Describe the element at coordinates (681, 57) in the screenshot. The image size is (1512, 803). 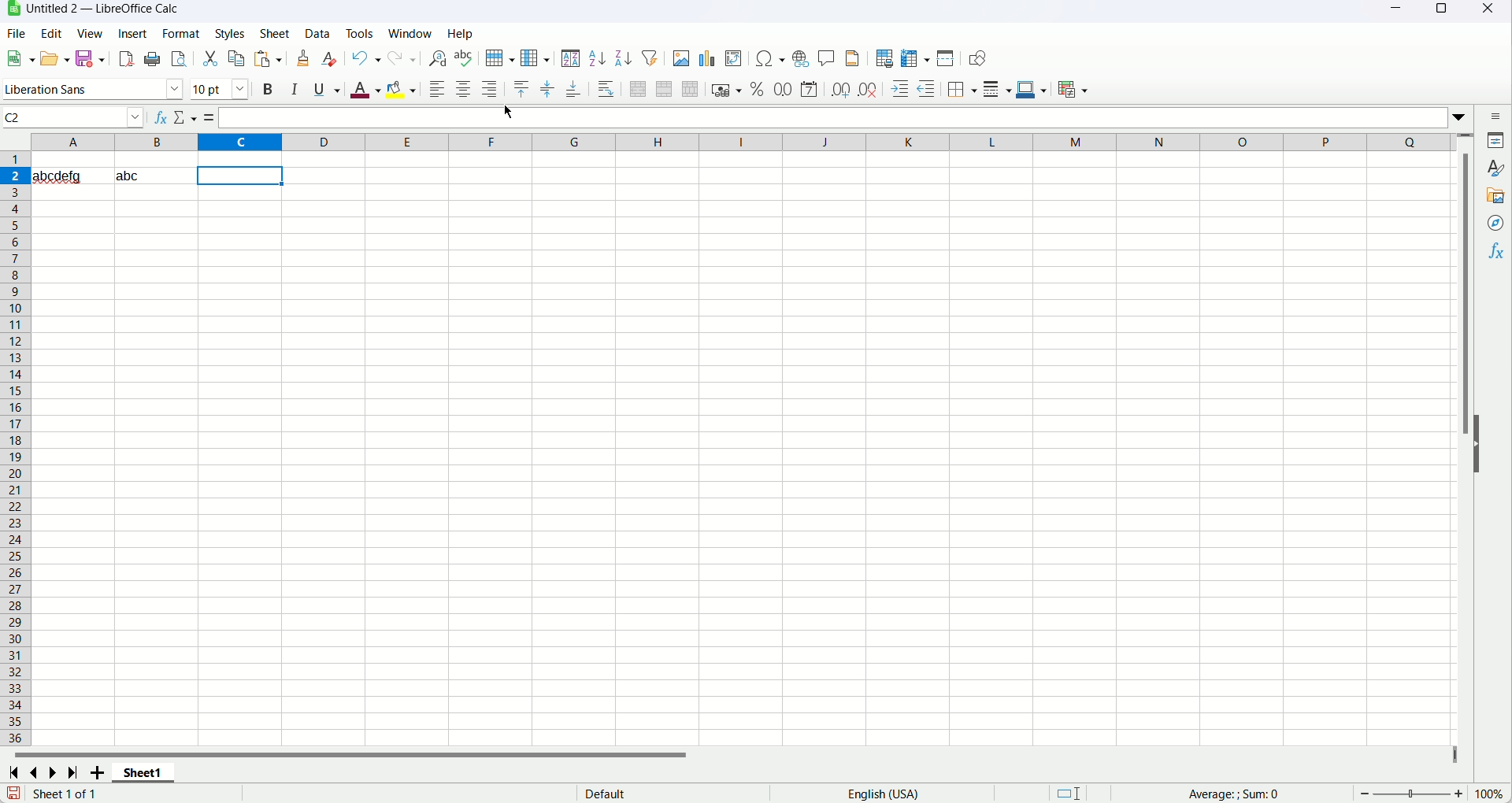
I see `insert image` at that location.